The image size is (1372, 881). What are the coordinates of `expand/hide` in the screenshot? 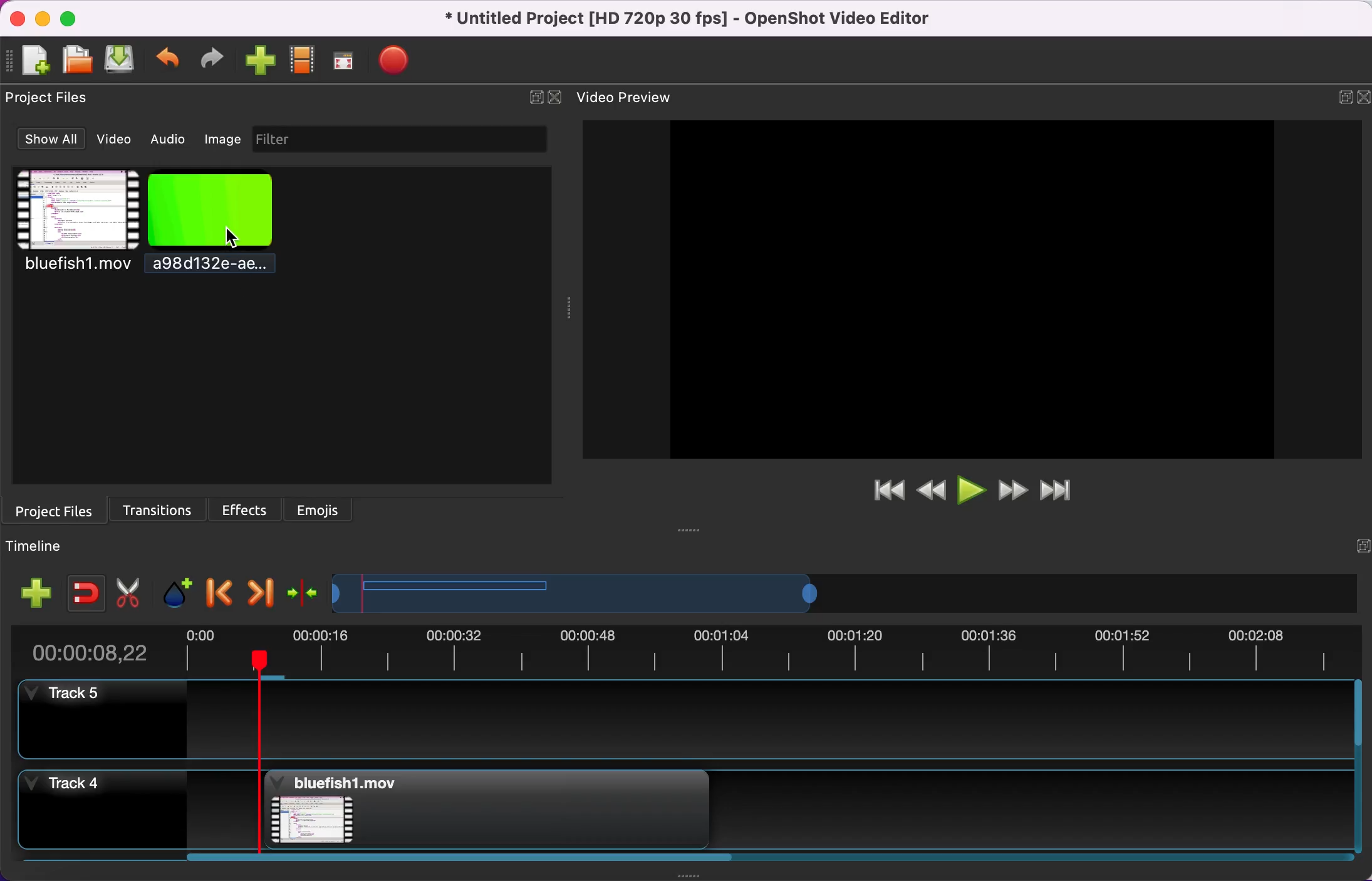 It's located at (1356, 536).